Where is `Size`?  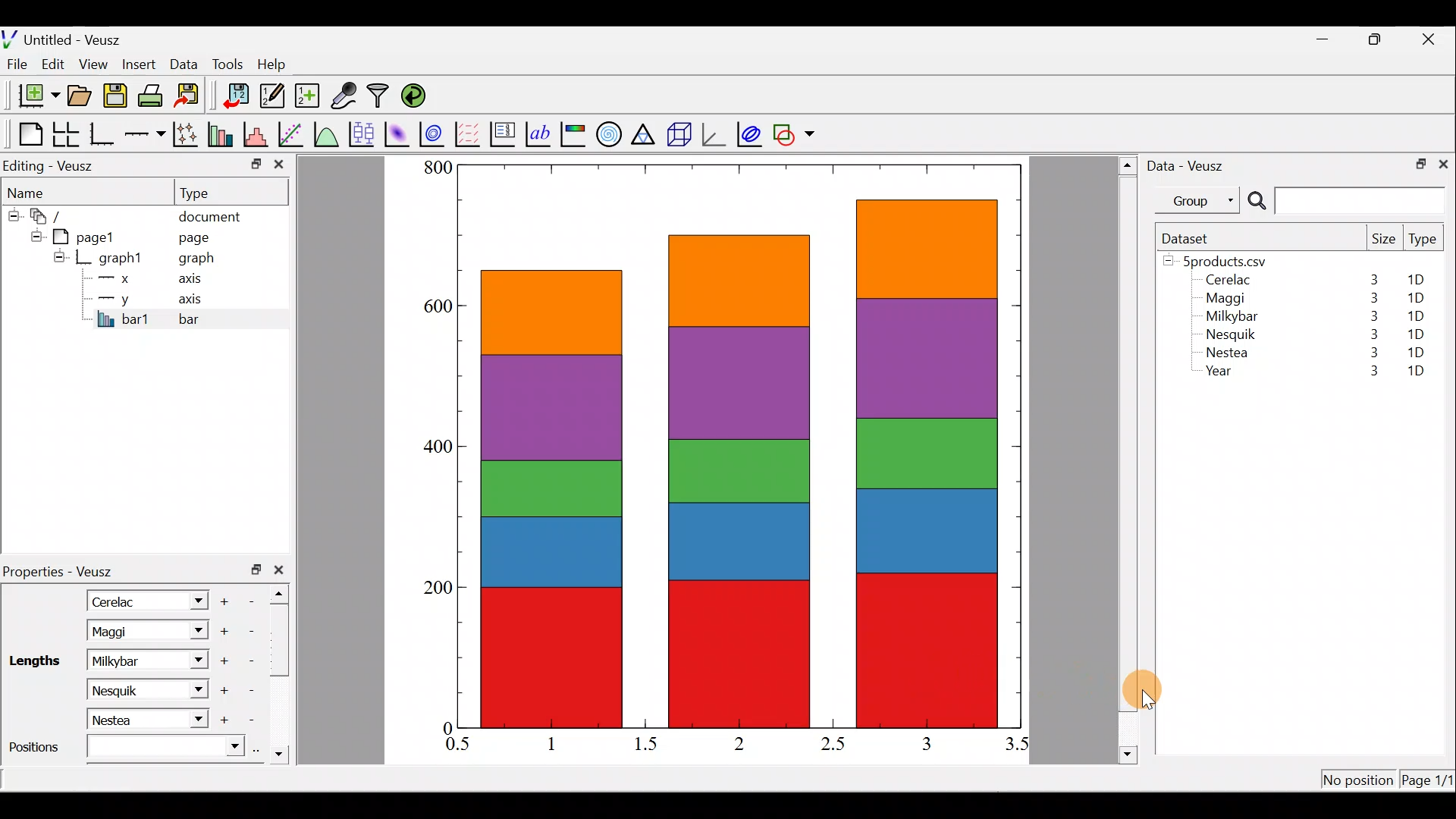
Size is located at coordinates (1383, 240).